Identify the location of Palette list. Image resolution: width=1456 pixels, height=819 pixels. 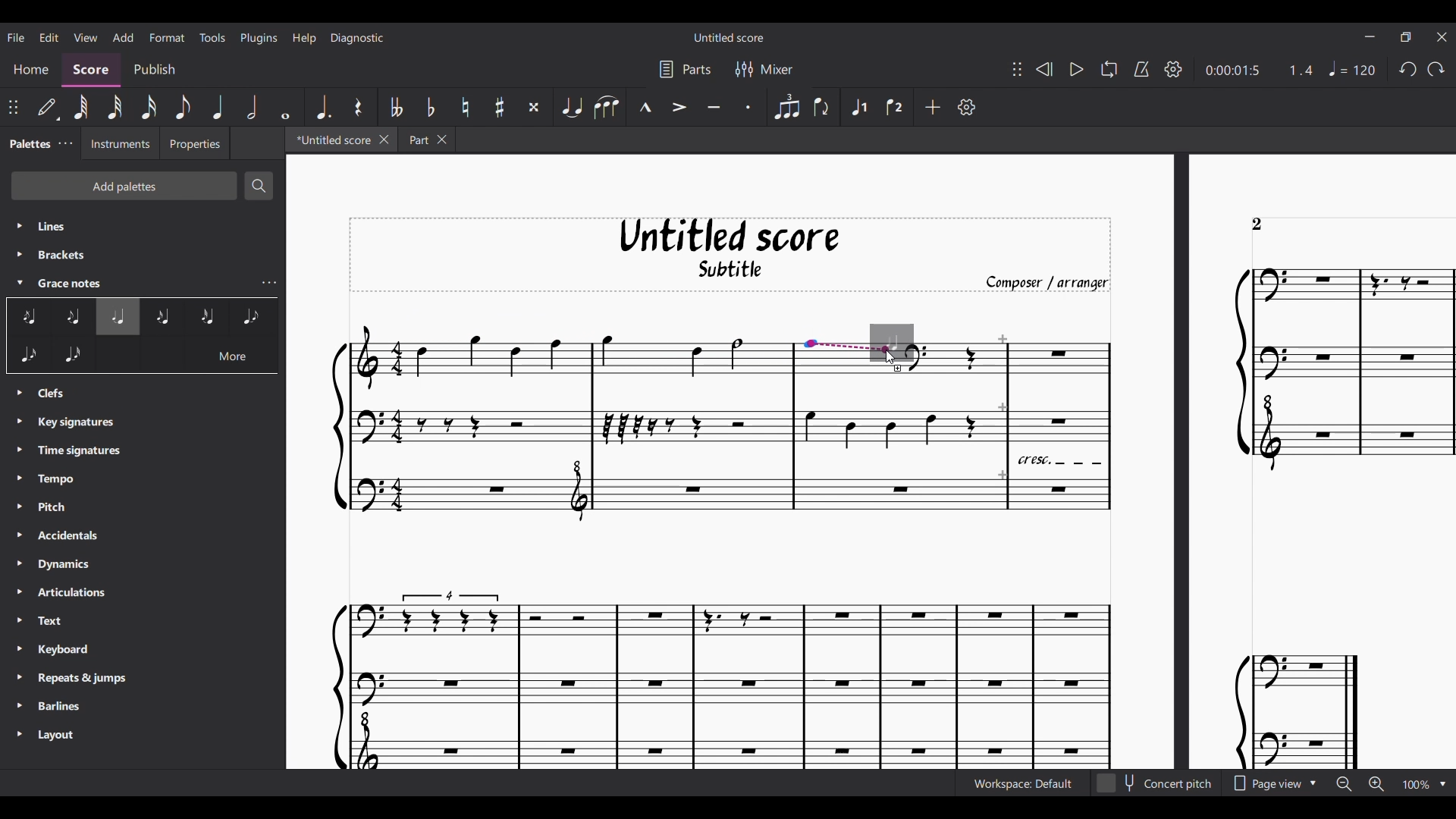
(144, 253).